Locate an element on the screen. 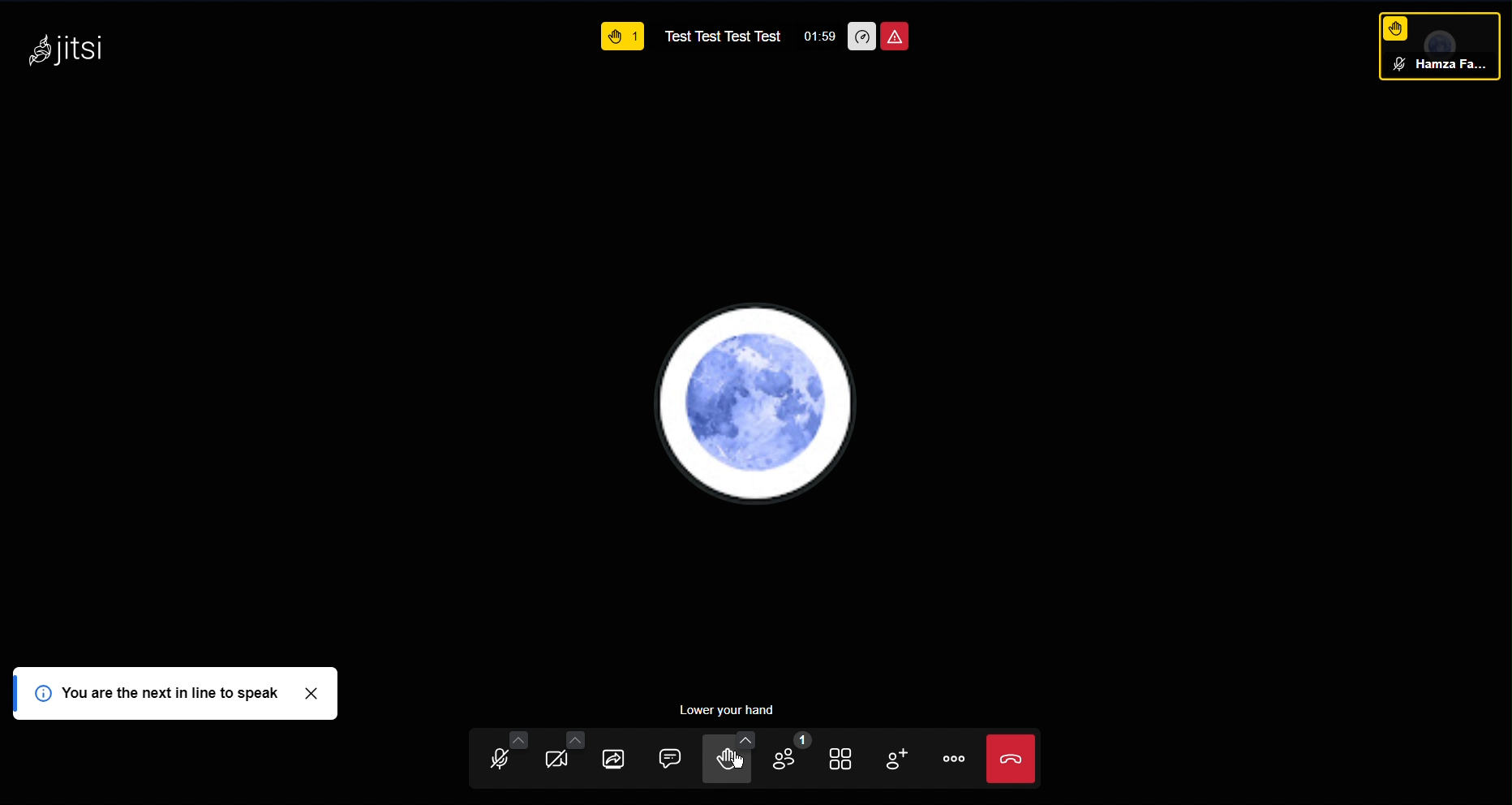 The height and width of the screenshot is (805, 1512). Member is located at coordinates (1445, 68).